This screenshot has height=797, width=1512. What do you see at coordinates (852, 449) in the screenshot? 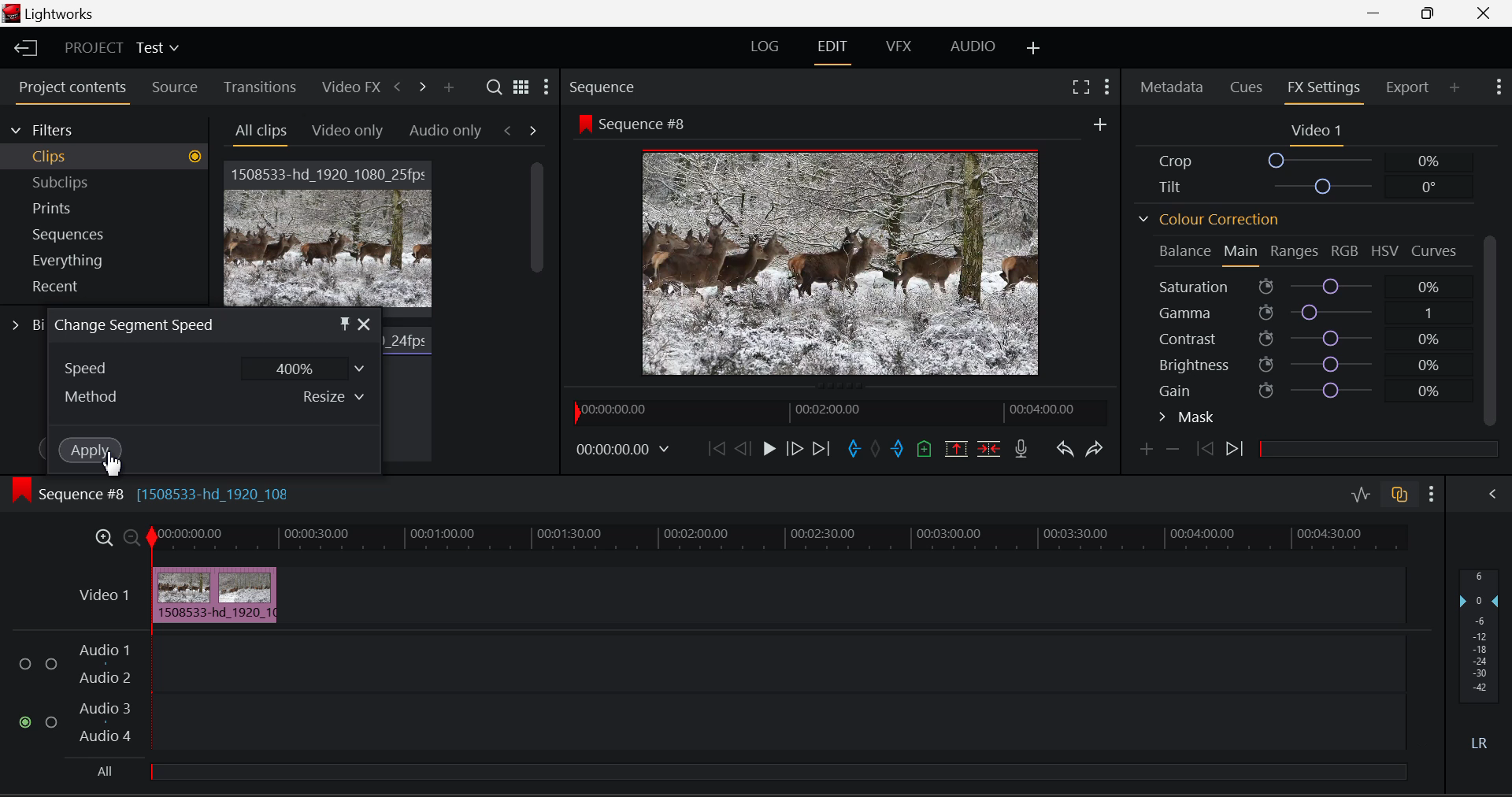
I see `Cut In` at bounding box center [852, 449].